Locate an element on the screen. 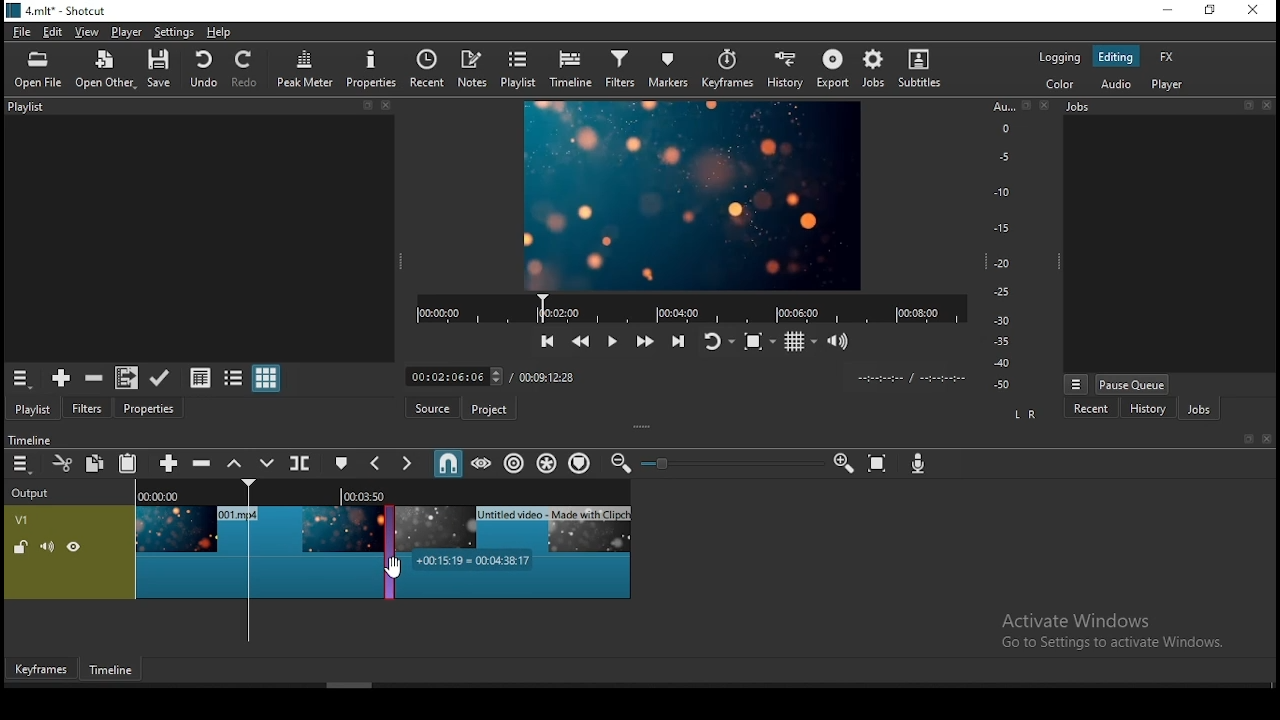 The width and height of the screenshot is (1280, 720). video clip is located at coordinates (255, 550).